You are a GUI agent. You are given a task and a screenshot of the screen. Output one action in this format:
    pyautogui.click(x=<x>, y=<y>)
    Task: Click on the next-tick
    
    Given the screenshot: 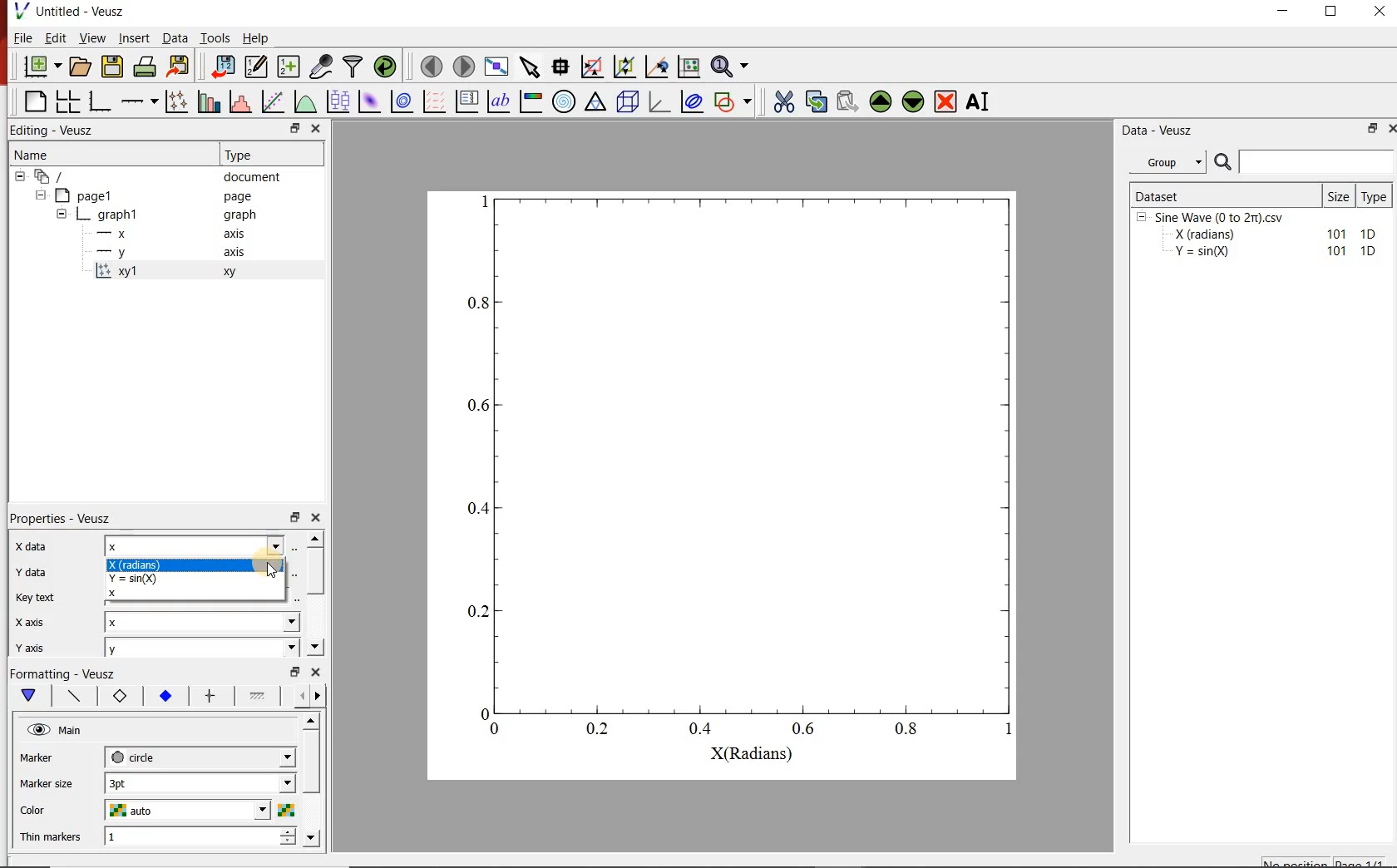 What is the action you would take?
    pyautogui.click(x=200, y=756)
    